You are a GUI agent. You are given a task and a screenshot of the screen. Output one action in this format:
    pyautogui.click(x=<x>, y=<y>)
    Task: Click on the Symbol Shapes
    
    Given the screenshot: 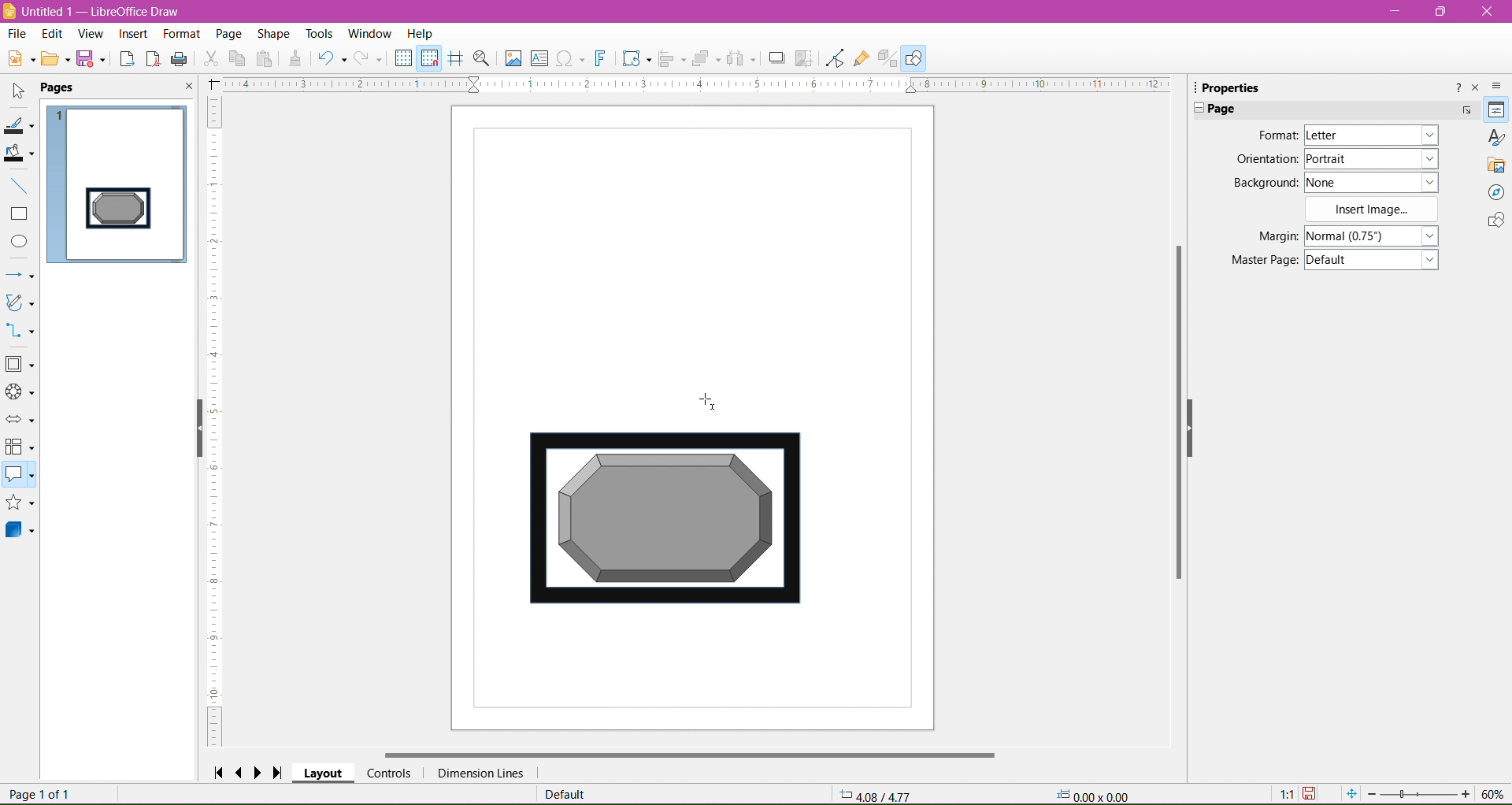 What is the action you would take?
    pyautogui.click(x=20, y=393)
    